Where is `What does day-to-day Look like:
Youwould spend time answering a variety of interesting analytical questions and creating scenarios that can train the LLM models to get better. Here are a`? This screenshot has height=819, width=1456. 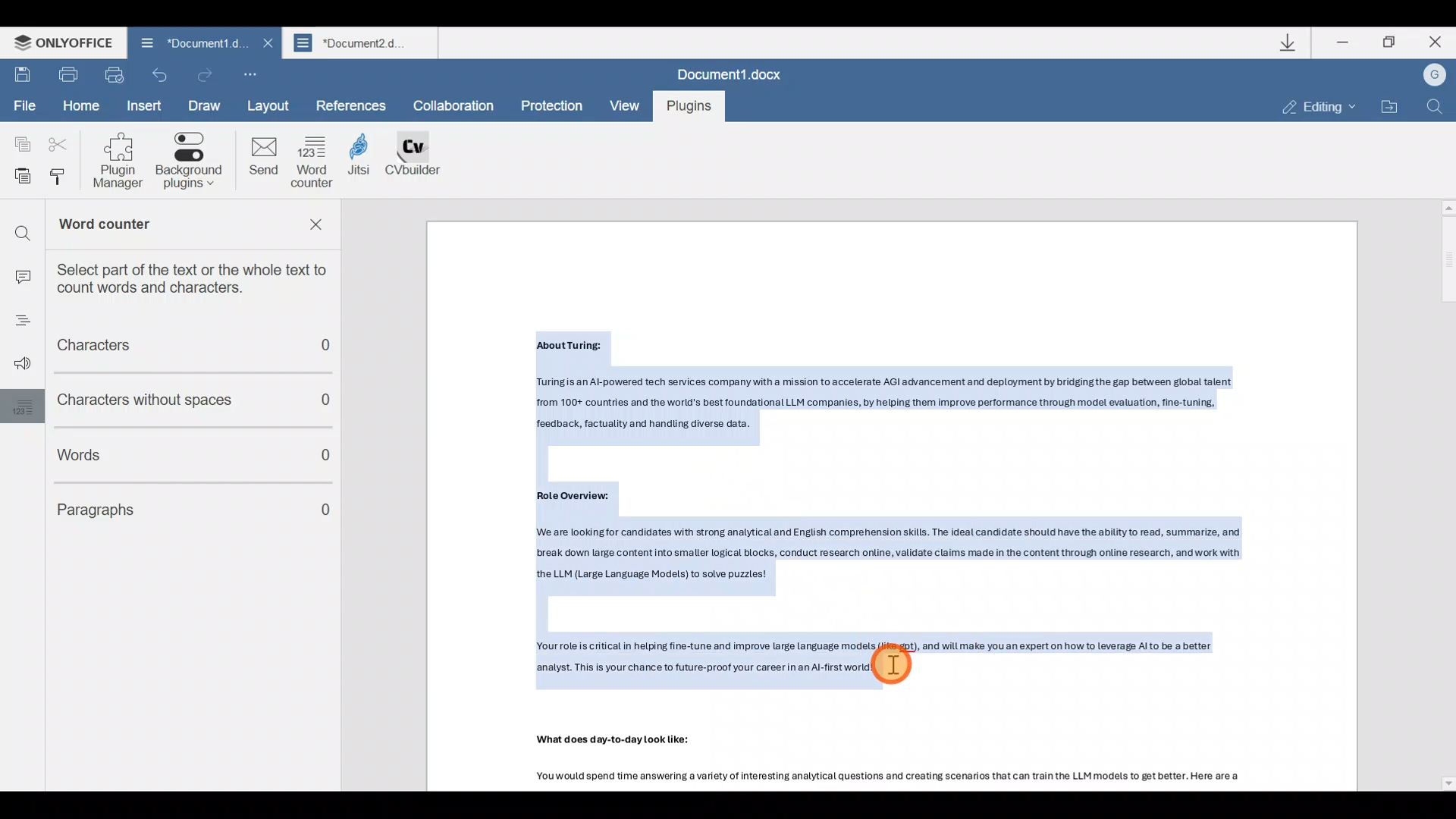 What does day-to-day Look like:
Youwould spend time answering a variety of interesting analytical questions and creating scenarios that can train the LLM models to get better. Here are a is located at coordinates (918, 762).